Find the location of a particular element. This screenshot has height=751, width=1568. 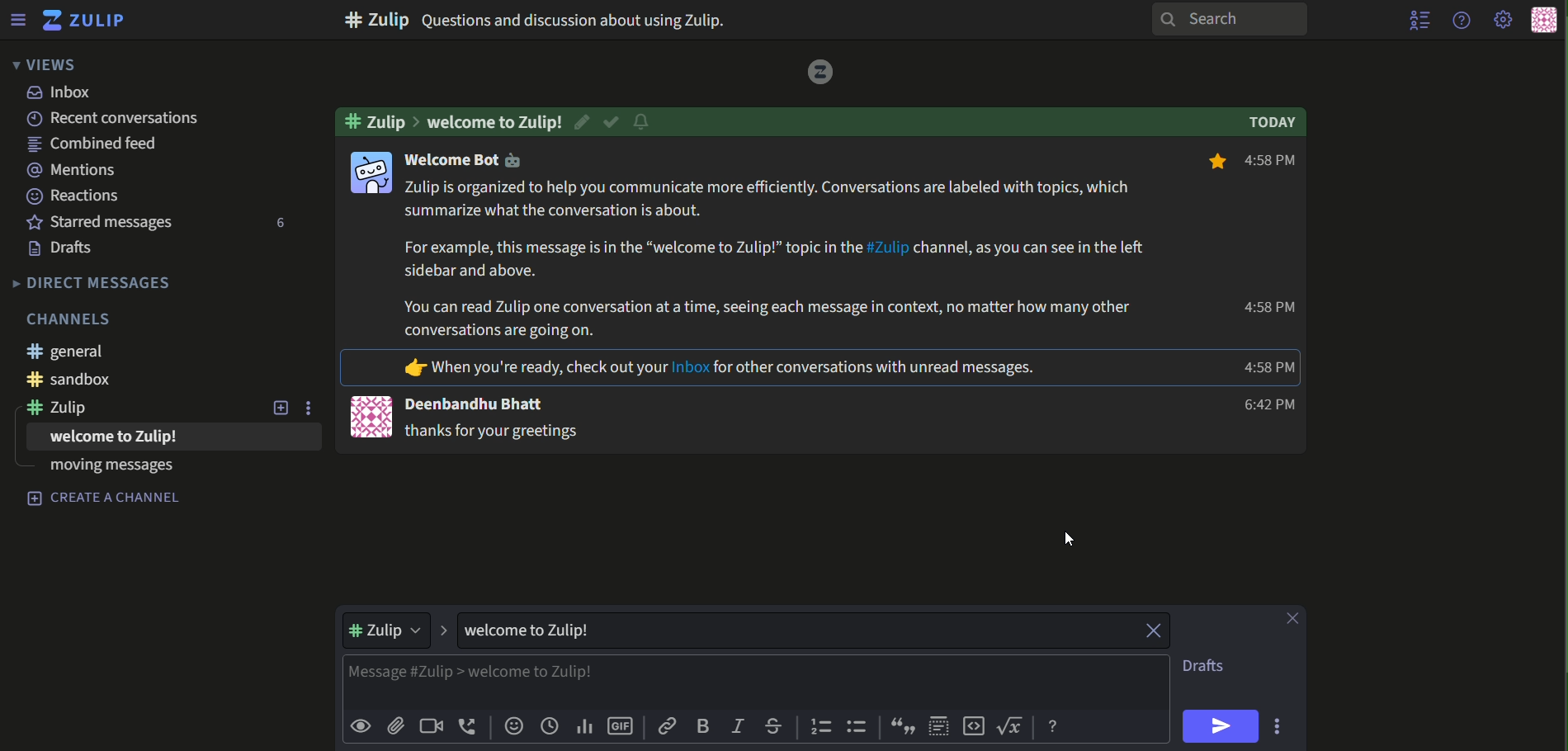

text is located at coordinates (67, 352).